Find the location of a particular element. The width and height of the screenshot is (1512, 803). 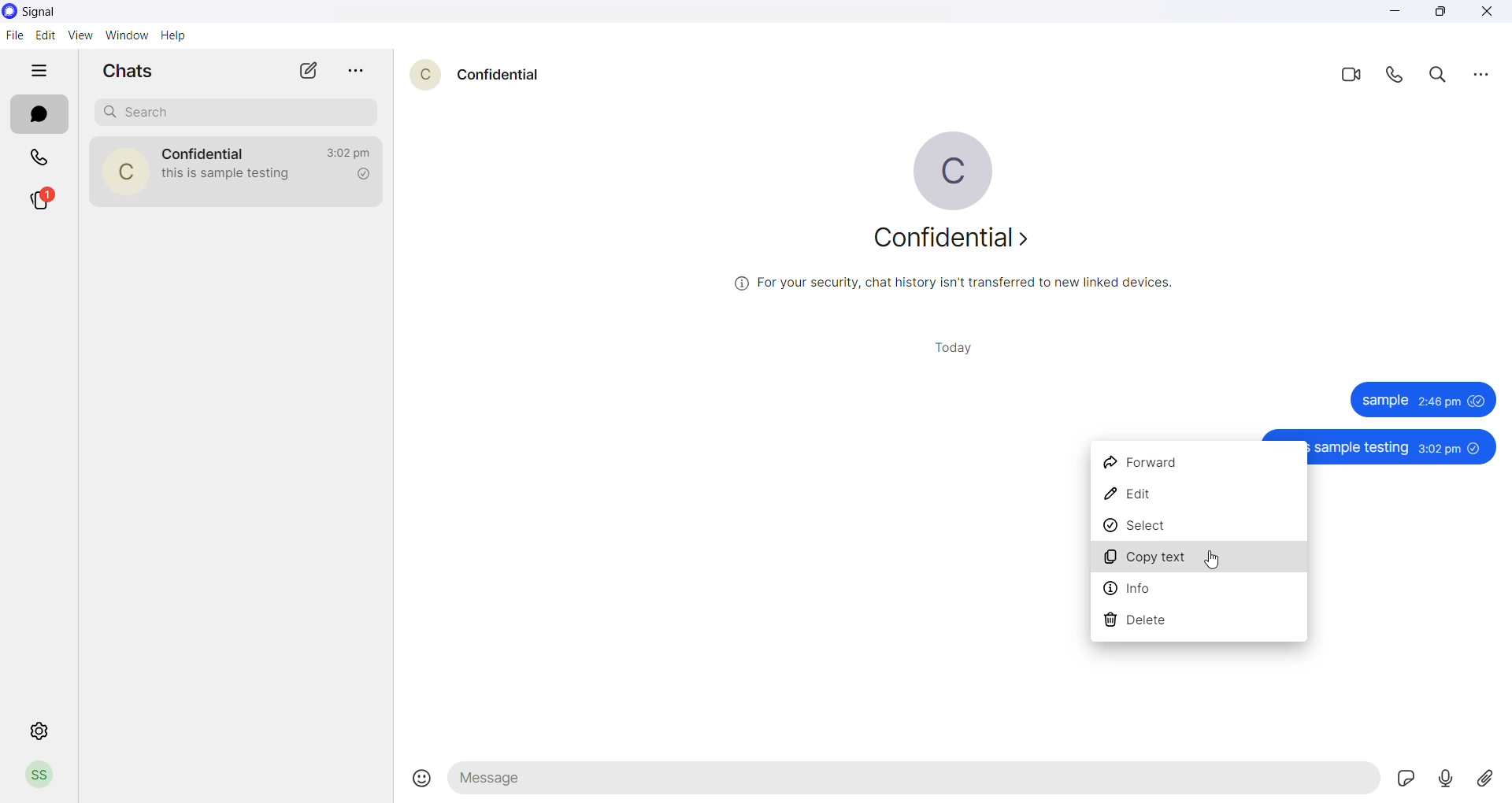

new message is located at coordinates (310, 71).